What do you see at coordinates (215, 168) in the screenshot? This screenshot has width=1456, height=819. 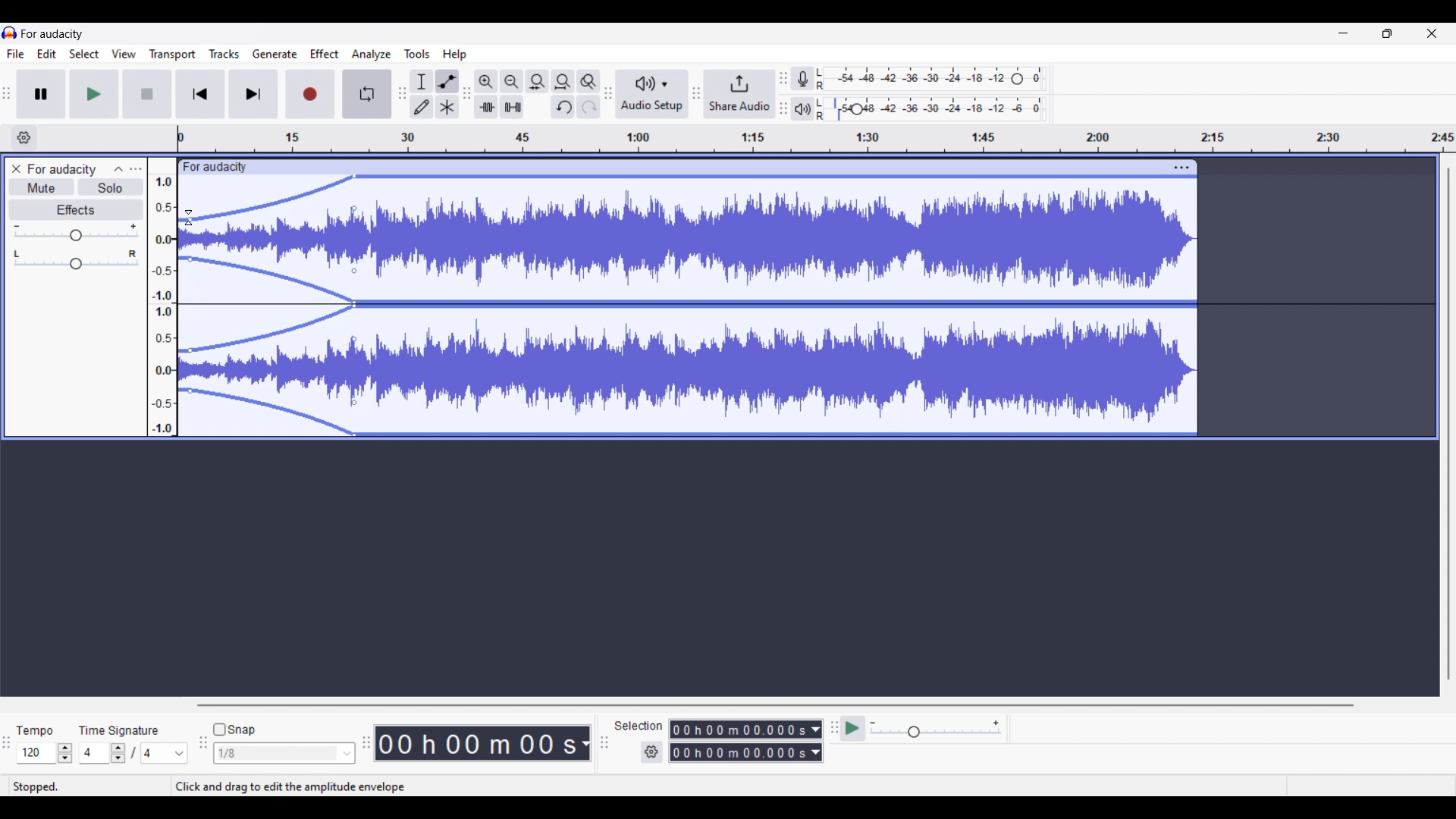 I see `for audacity` at bounding box center [215, 168].